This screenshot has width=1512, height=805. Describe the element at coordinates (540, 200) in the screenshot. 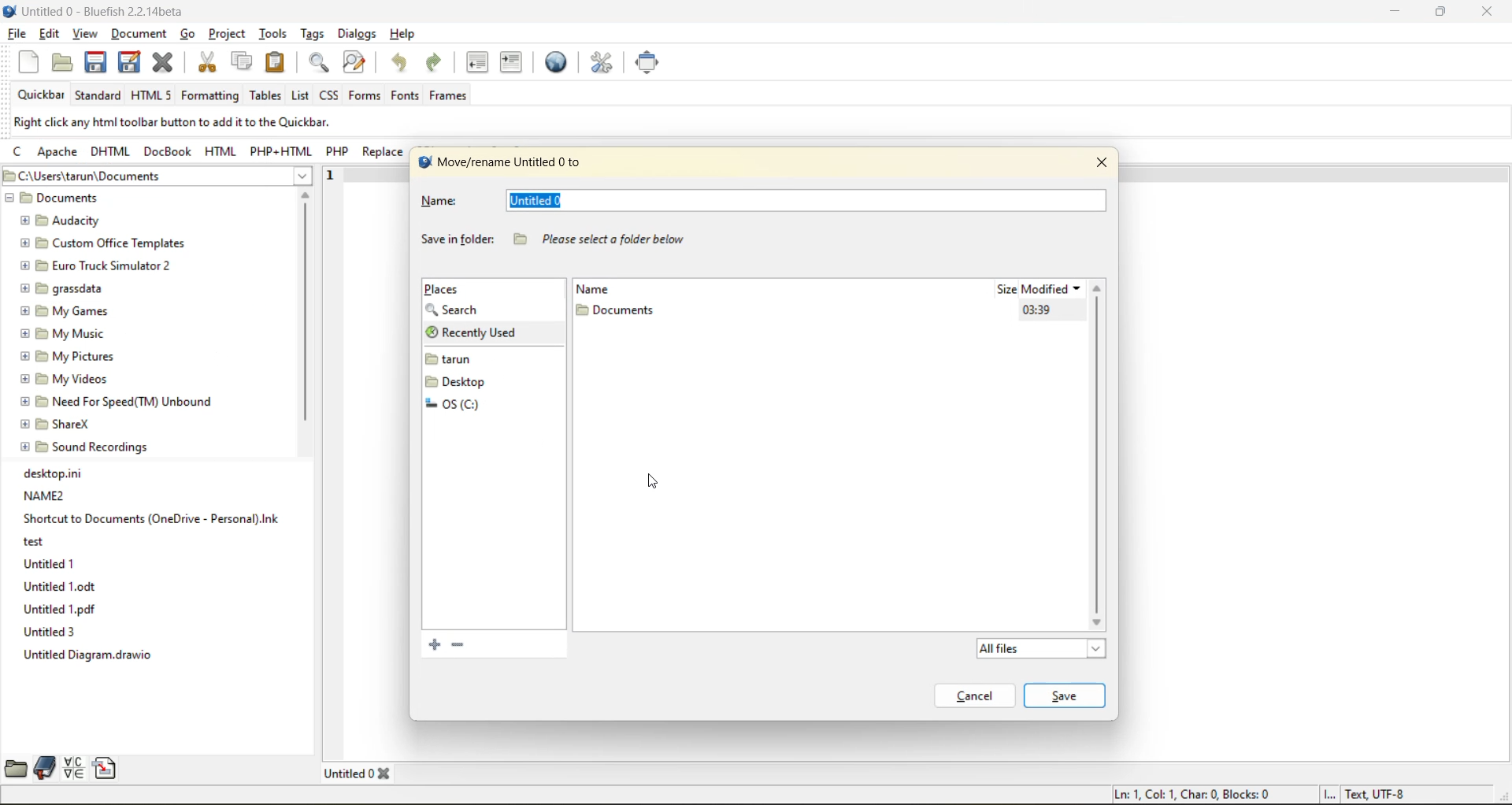

I see `current file name` at that location.